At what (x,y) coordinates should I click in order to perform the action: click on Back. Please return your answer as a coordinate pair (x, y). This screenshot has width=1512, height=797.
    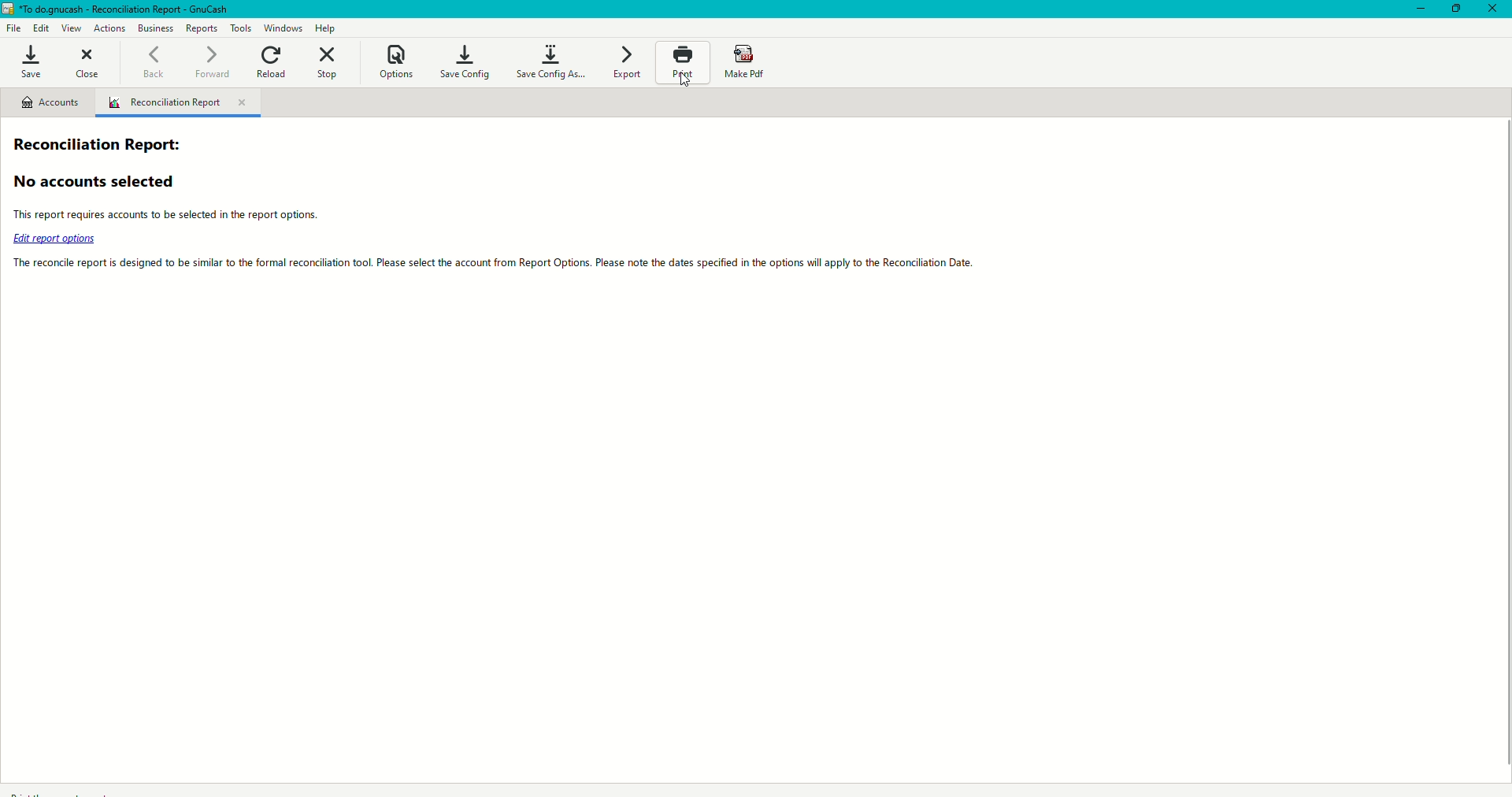
    Looking at the image, I should click on (150, 61).